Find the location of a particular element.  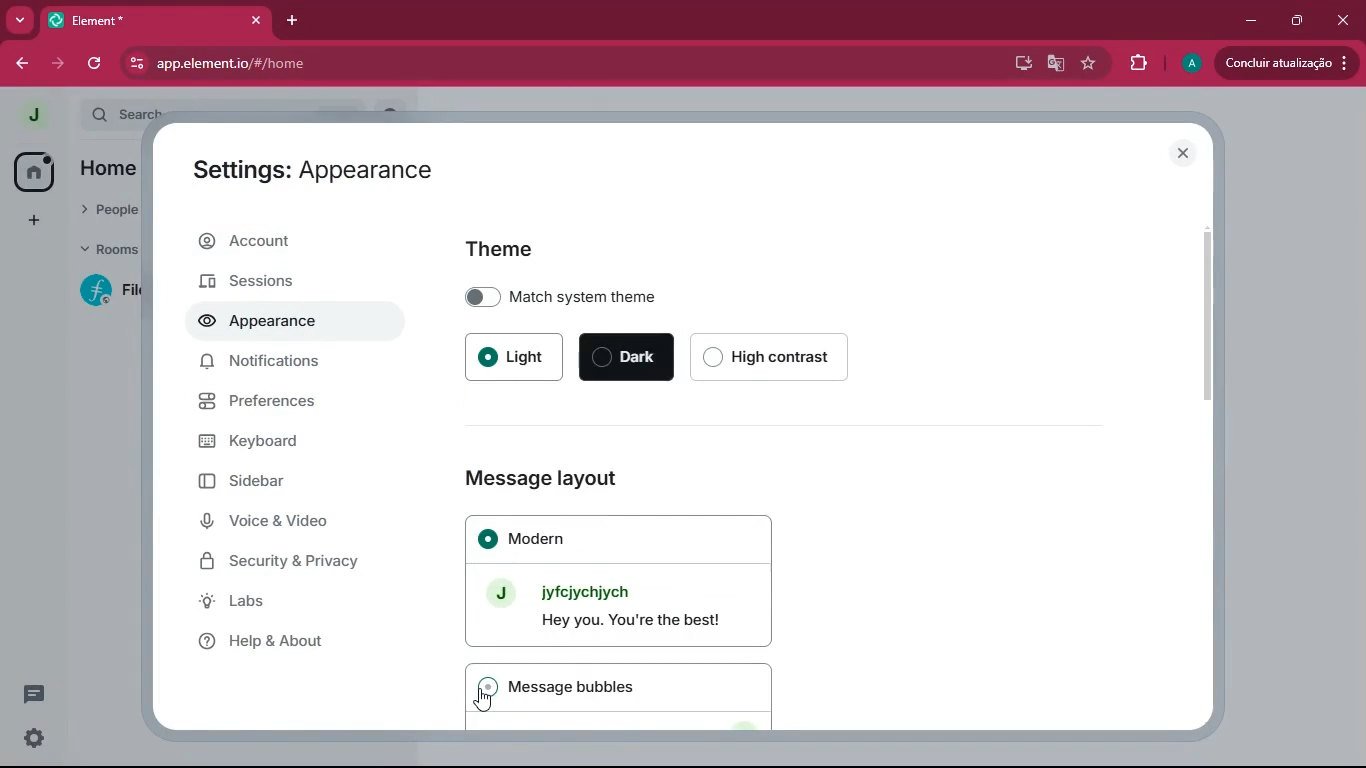

high is located at coordinates (777, 355).